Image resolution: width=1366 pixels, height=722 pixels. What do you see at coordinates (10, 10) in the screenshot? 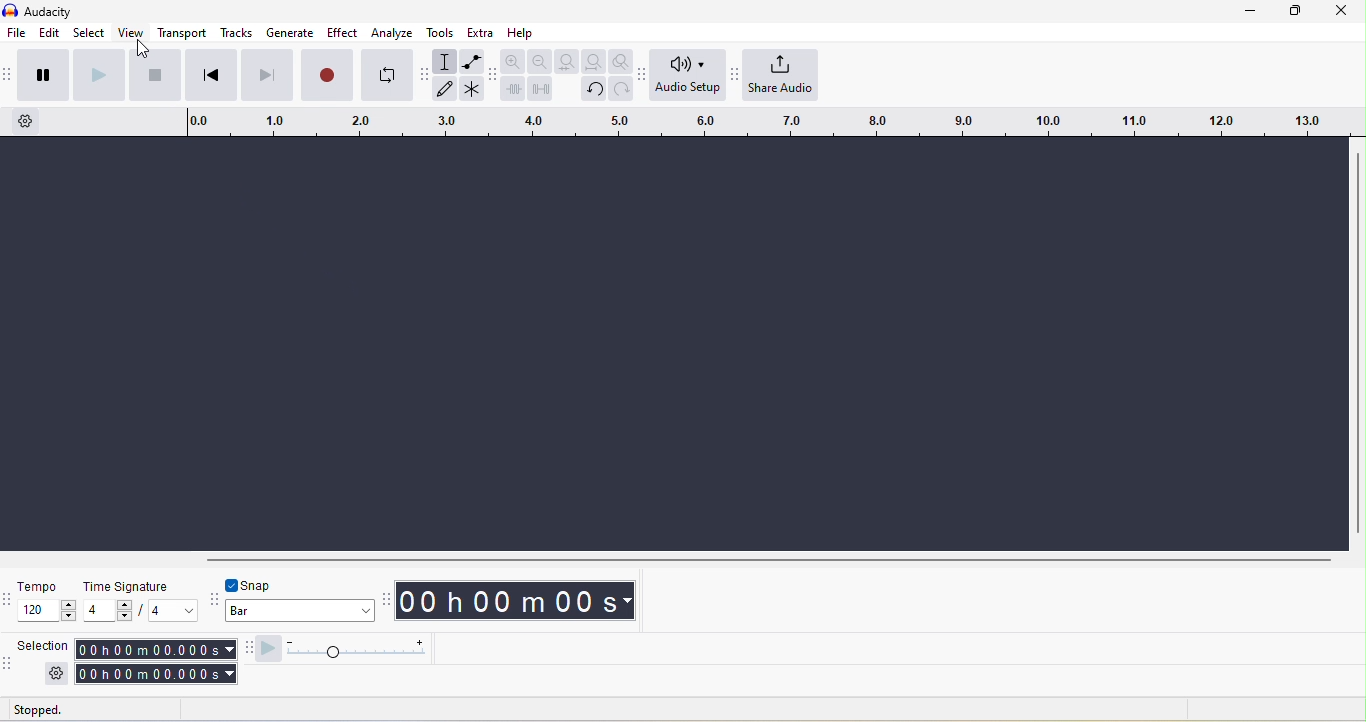
I see `audacity logo` at bounding box center [10, 10].